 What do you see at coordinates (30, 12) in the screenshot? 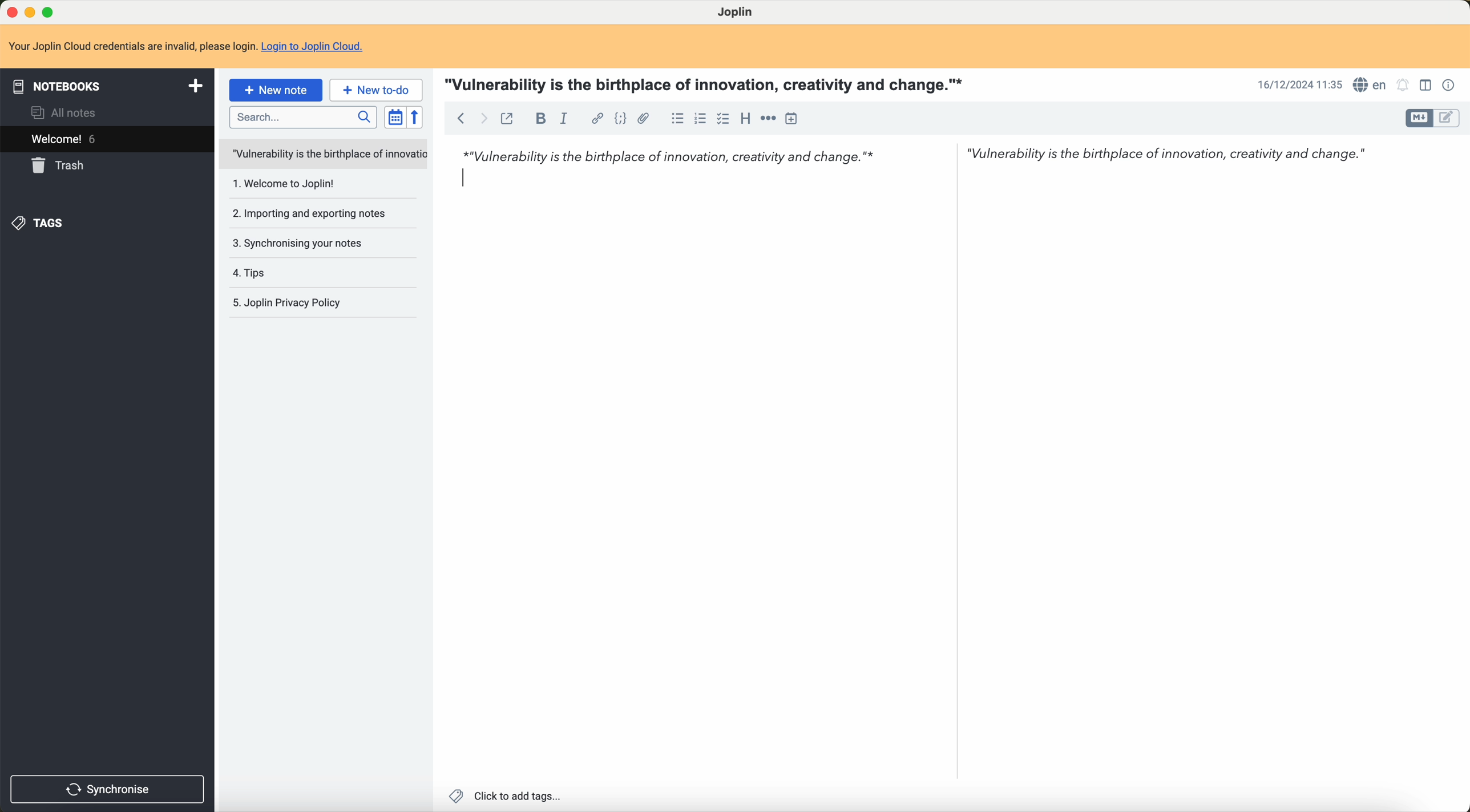
I see `minimize` at bounding box center [30, 12].